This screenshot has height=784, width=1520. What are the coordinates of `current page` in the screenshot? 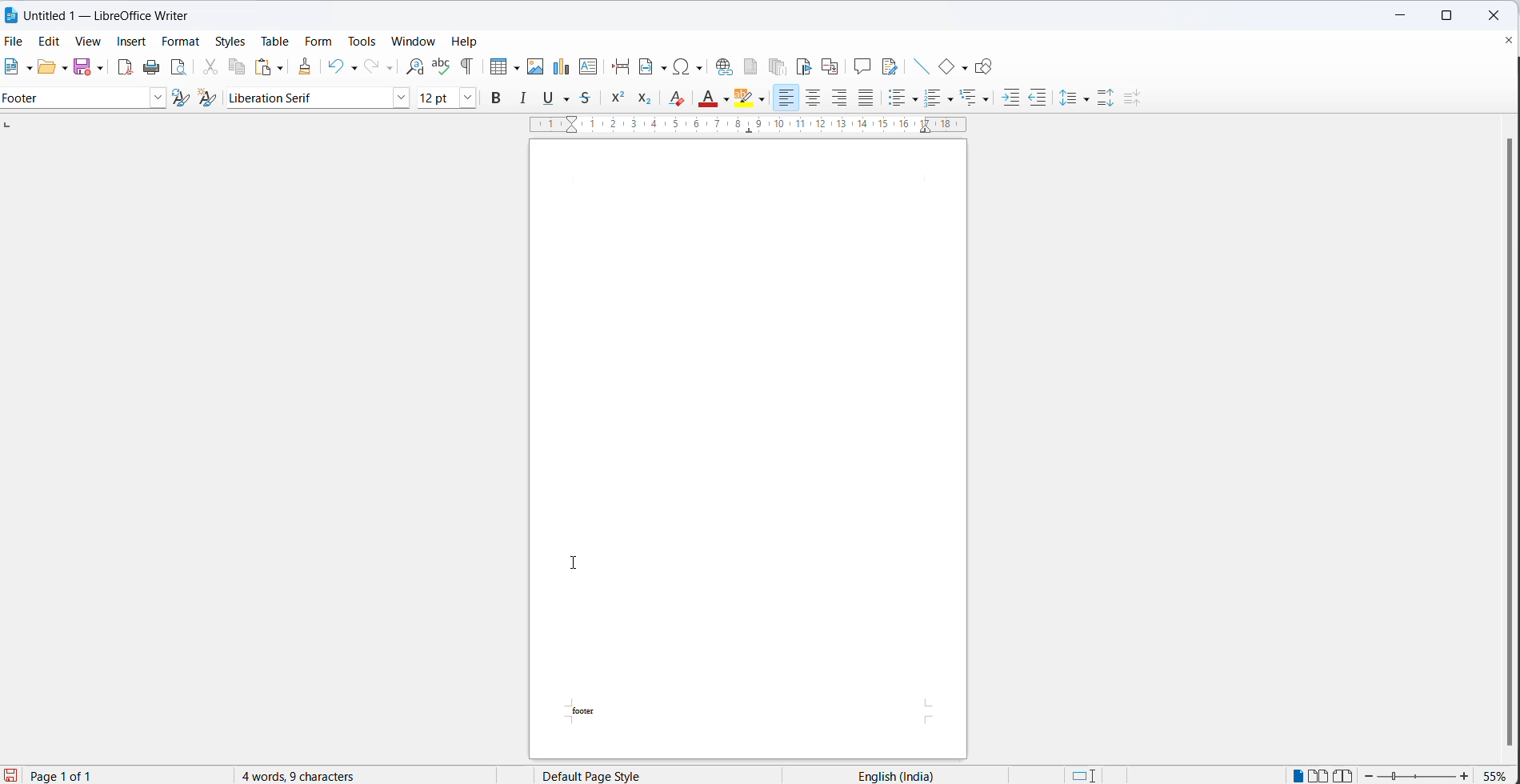 It's located at (69, 776).